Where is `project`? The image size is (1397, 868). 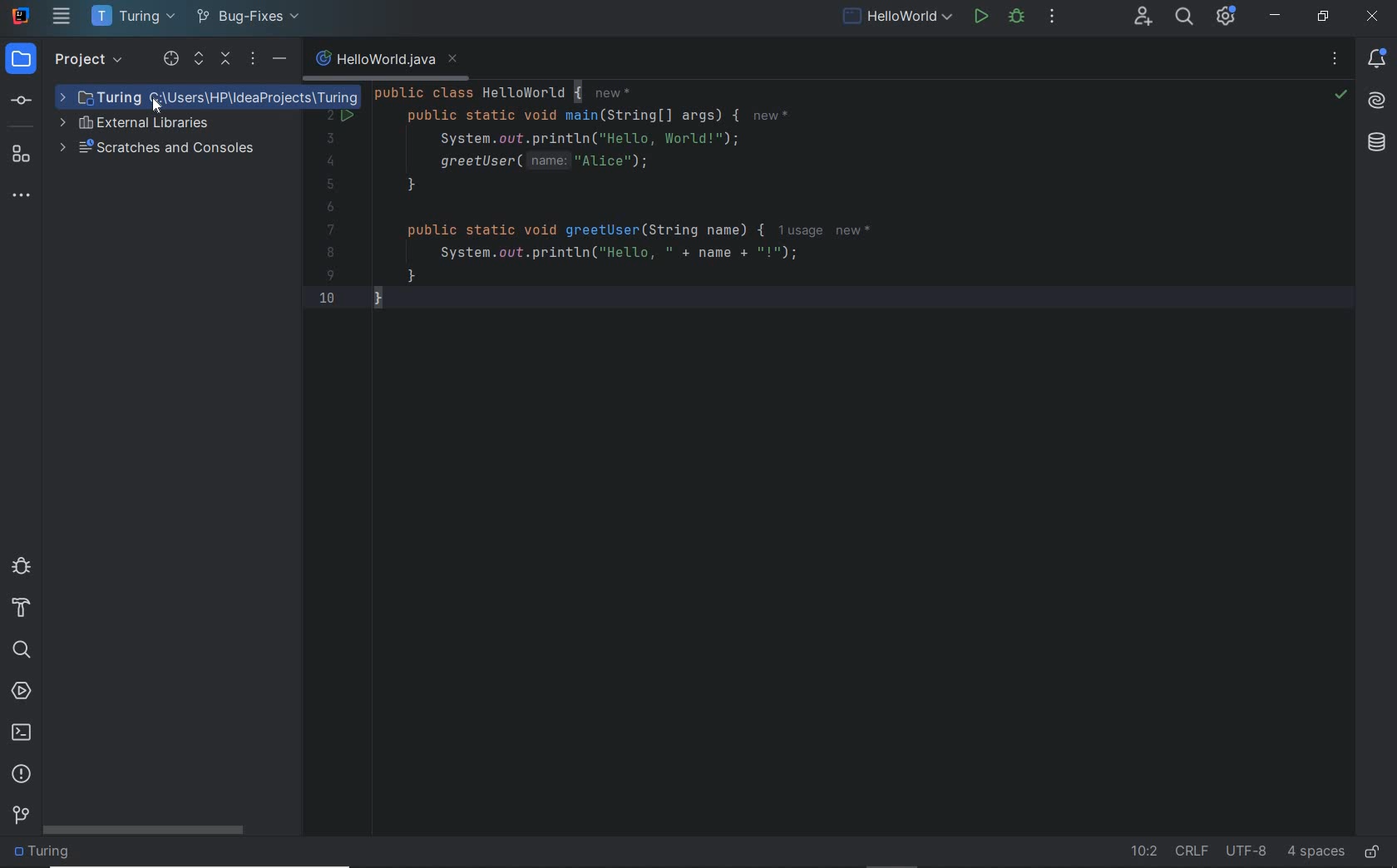 project is located at coordinates (65, 61).